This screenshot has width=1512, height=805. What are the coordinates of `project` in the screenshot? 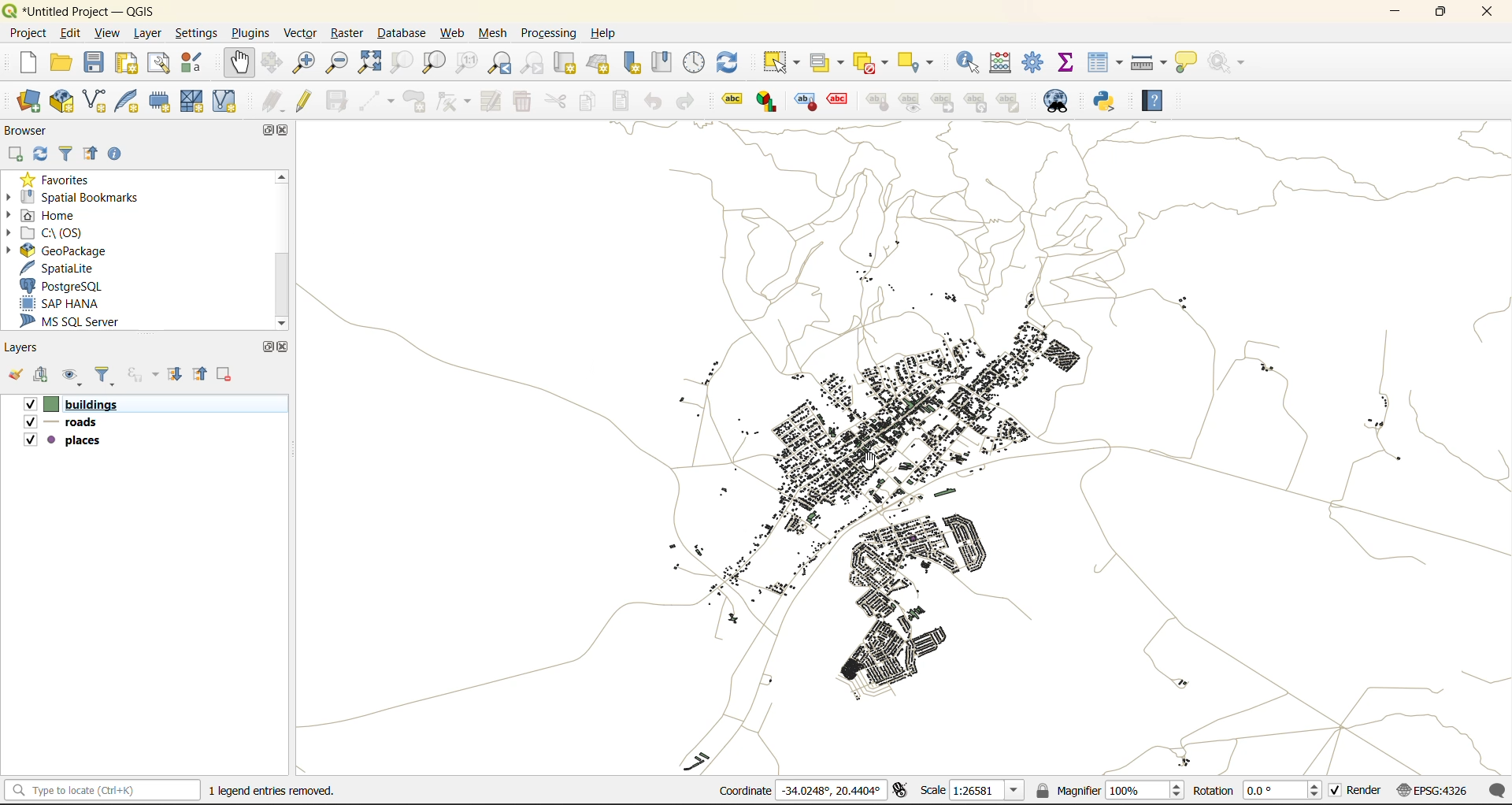 It's located at (32, 35).